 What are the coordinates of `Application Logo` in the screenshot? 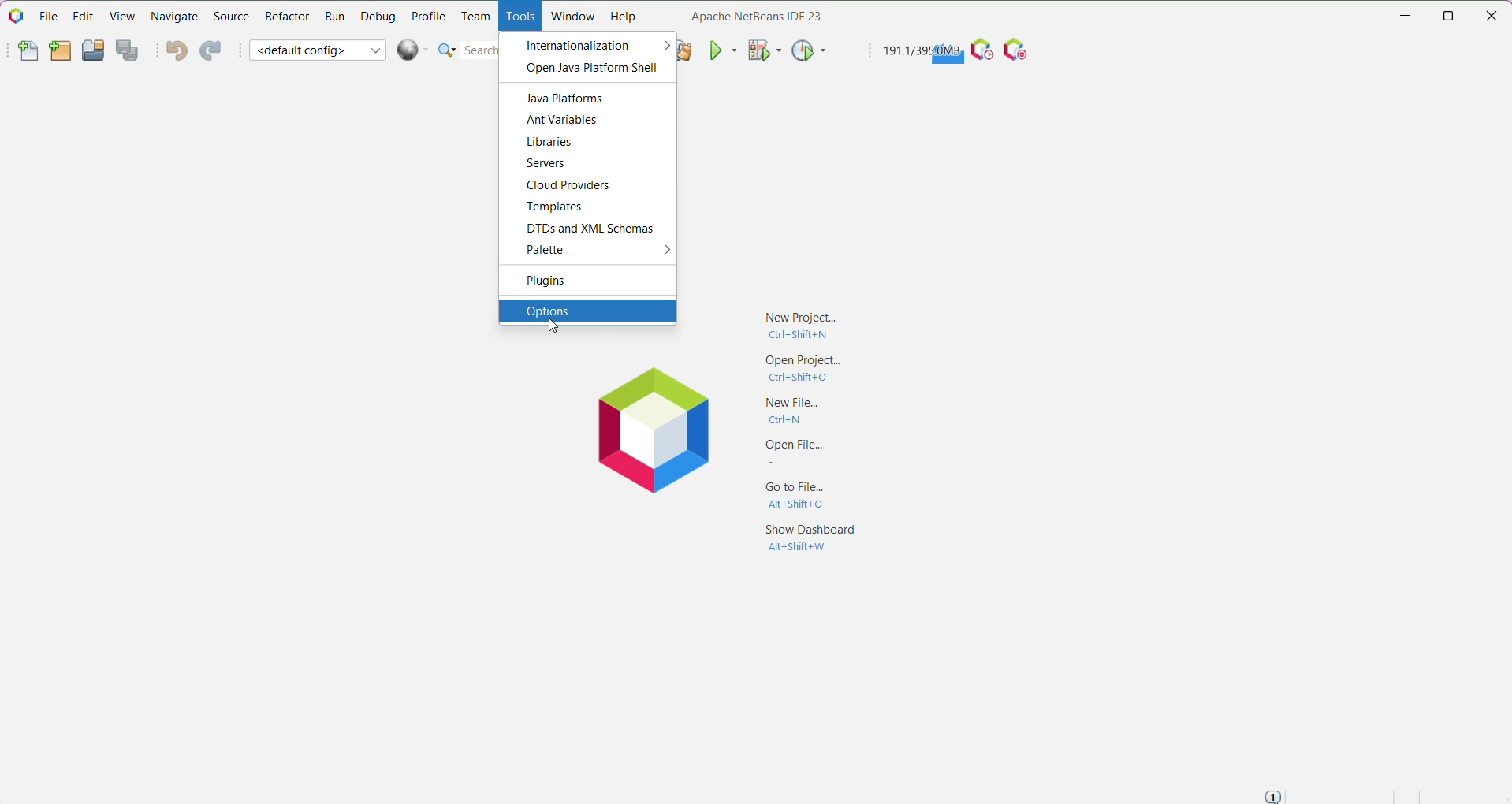 It's located at (650, 433).